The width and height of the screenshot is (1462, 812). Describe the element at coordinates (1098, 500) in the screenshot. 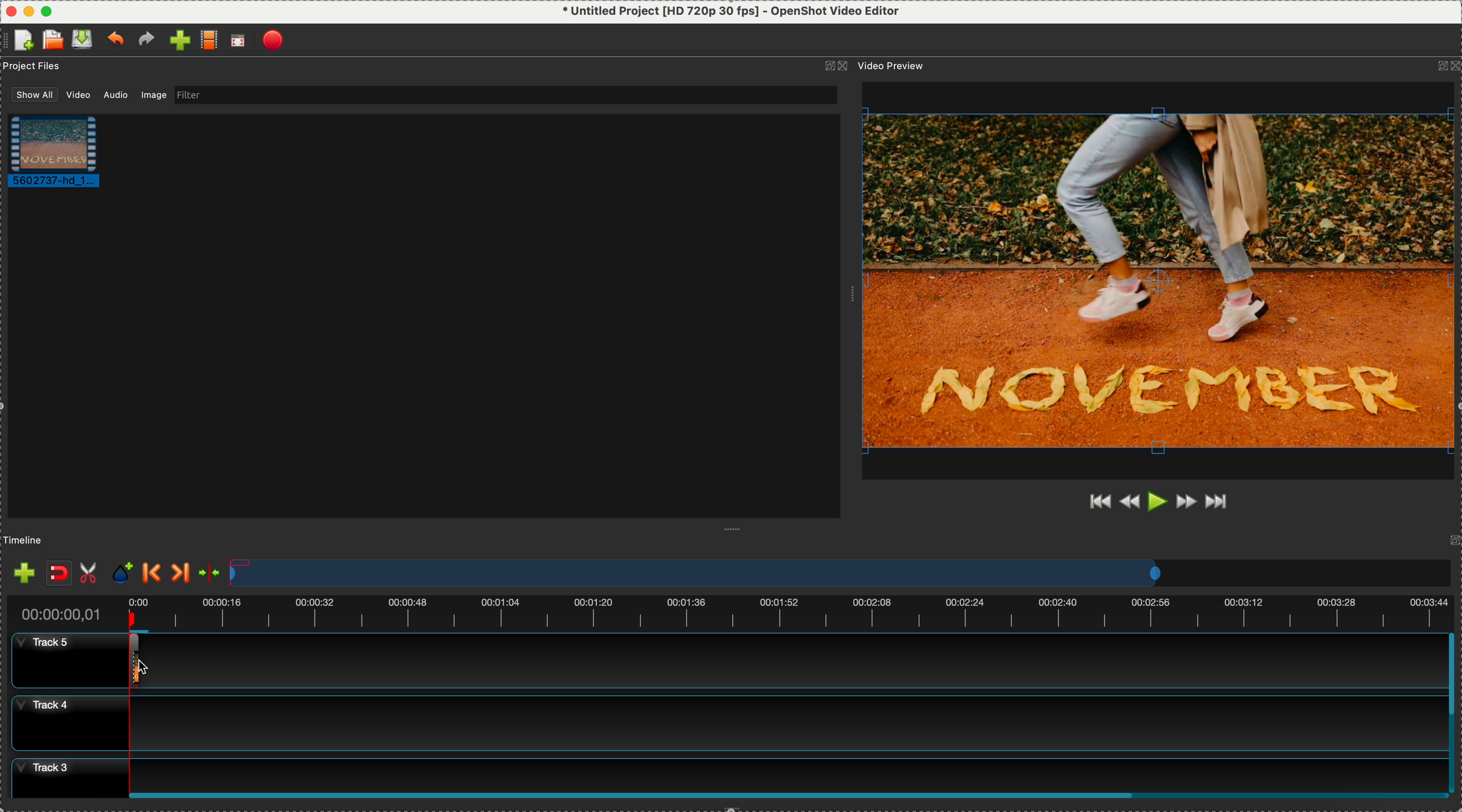

I see `jump to start` at that location.